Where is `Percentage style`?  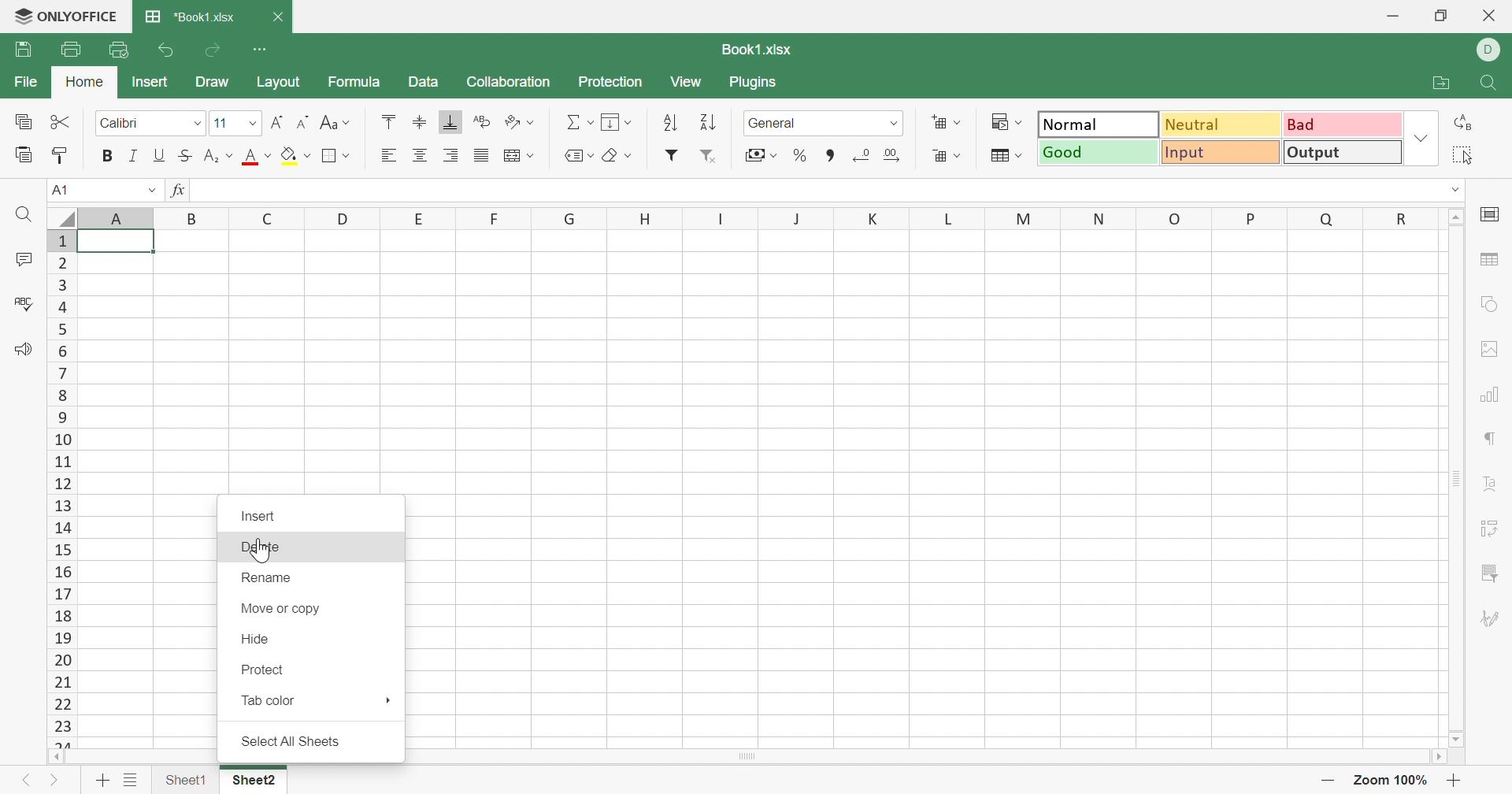
Percentage style is located at coordinates (801, 154).